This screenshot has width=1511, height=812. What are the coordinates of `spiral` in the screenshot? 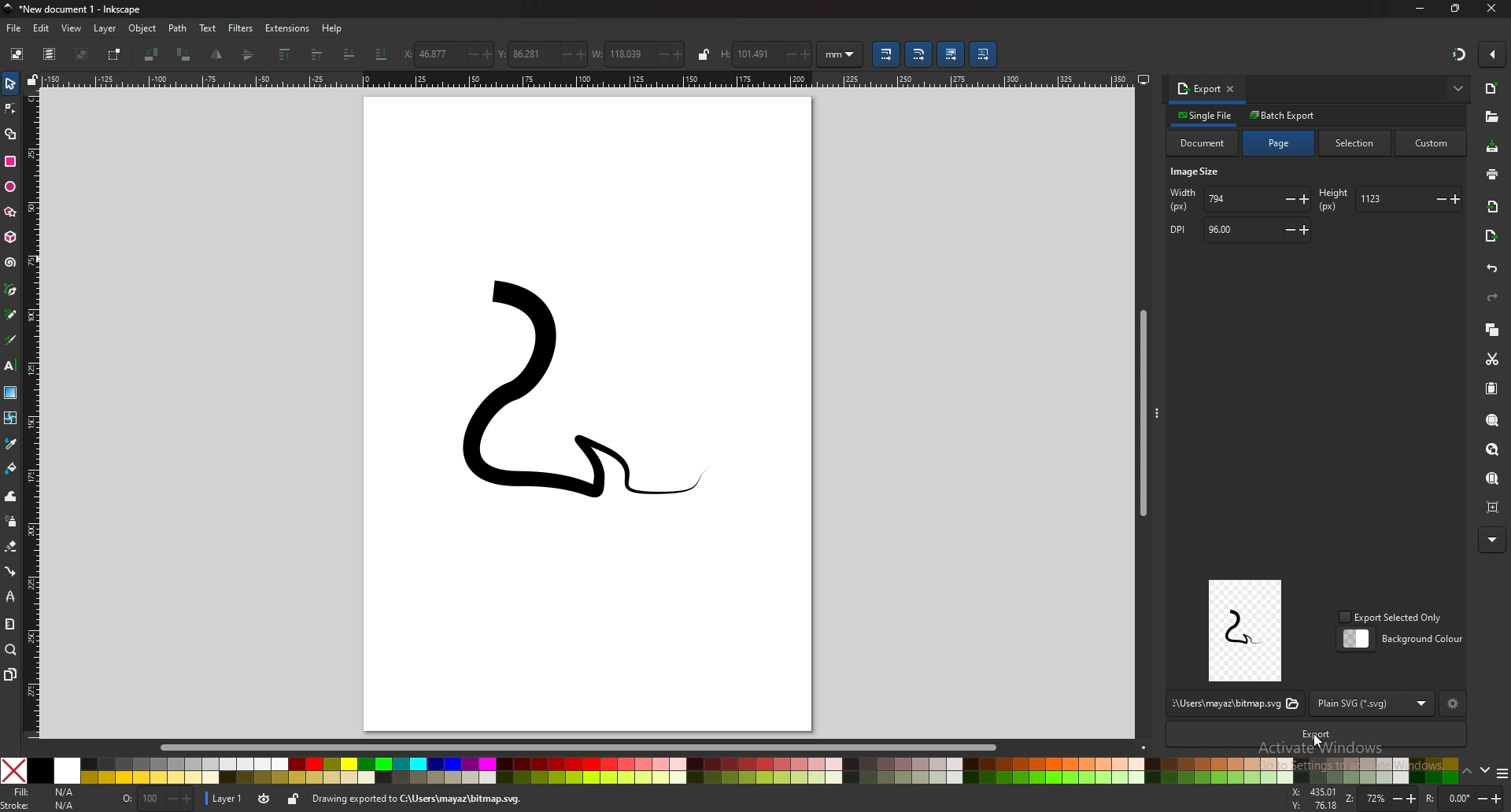 It's located at (12, 263).